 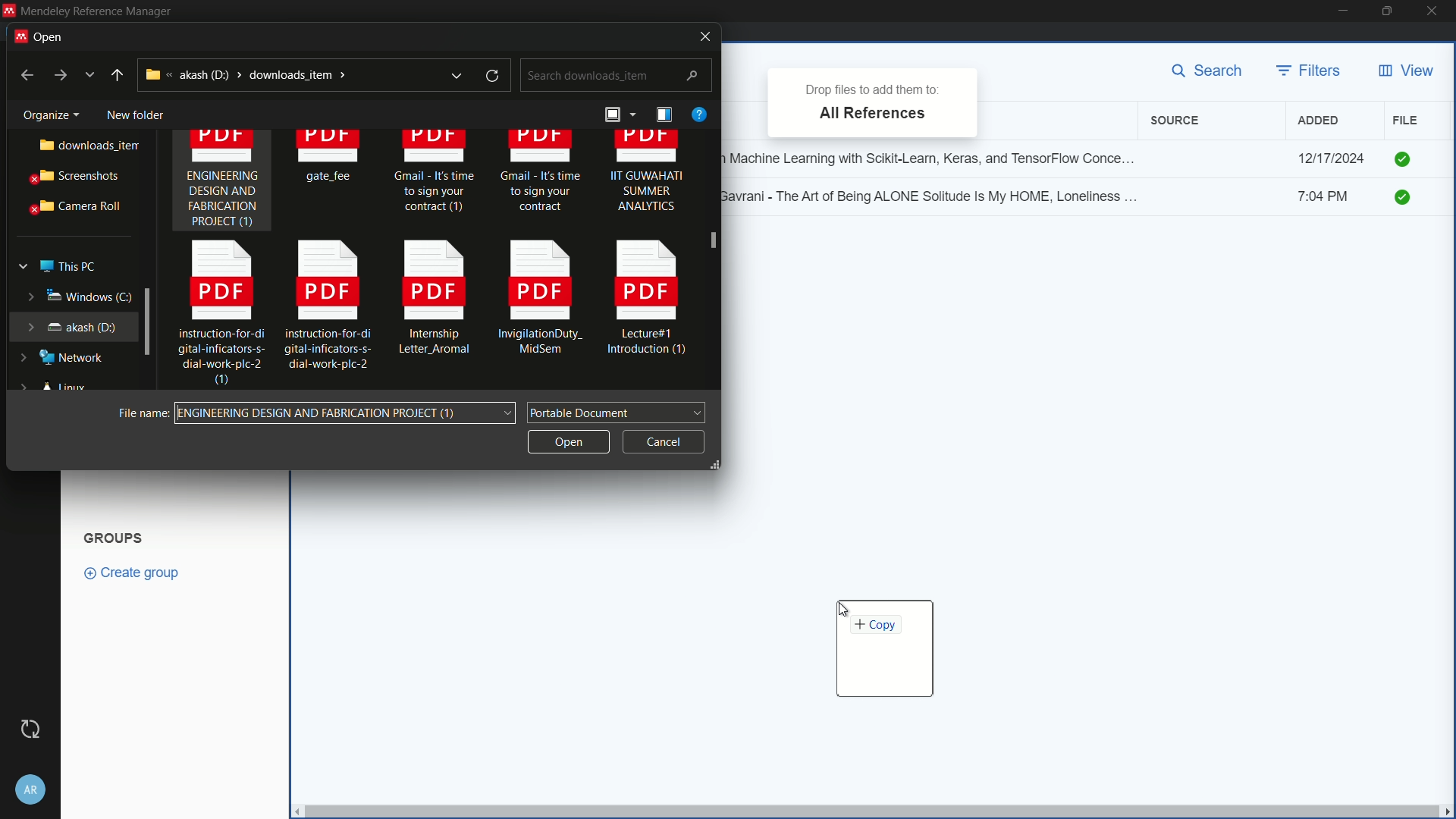 I want to click on ENGINEERING
DESIGN AND

FABRICATION
PROJECT (1), so click(x=222, y=183).